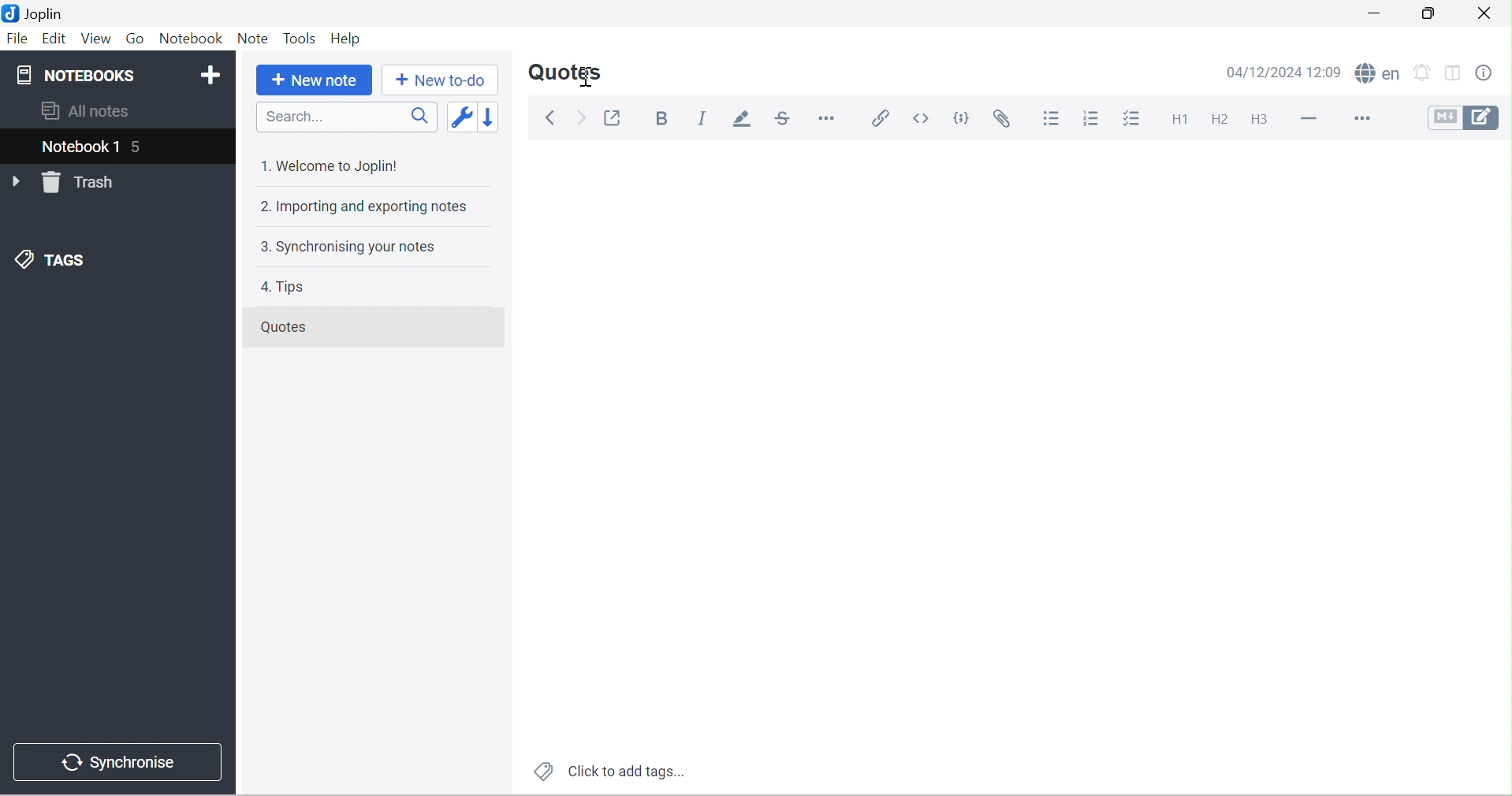 This screenshot has width=1512, height=796. I want to click on Bulleted list, so click(1052, 121).